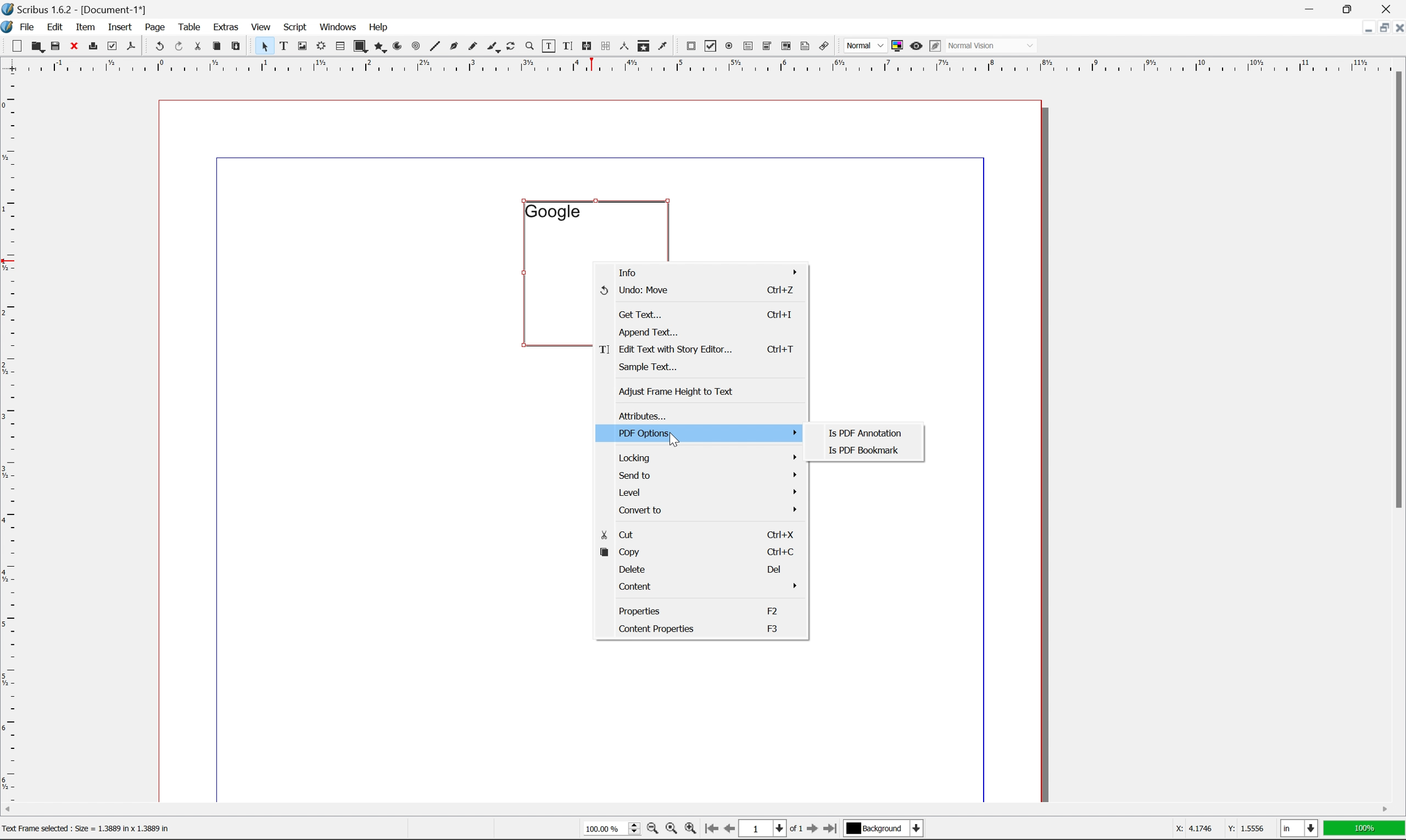  What do you see at coordinates (708, 491) in the screenshot?
I see `level` at bounding box center [708, 491].